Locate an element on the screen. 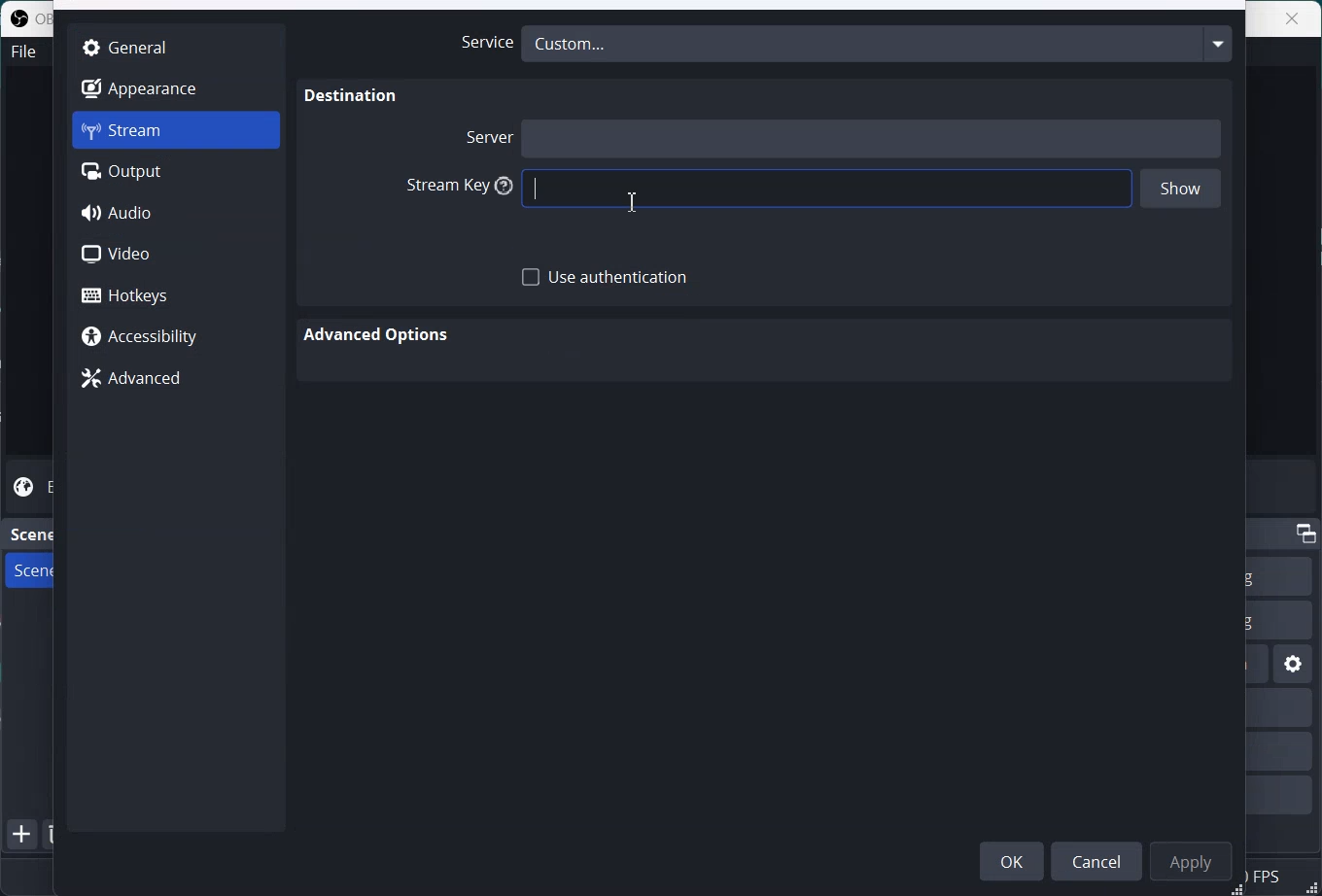 The width and height of the screenshot is (1322, 896). Cancel is located at coordinates (1100, 860).